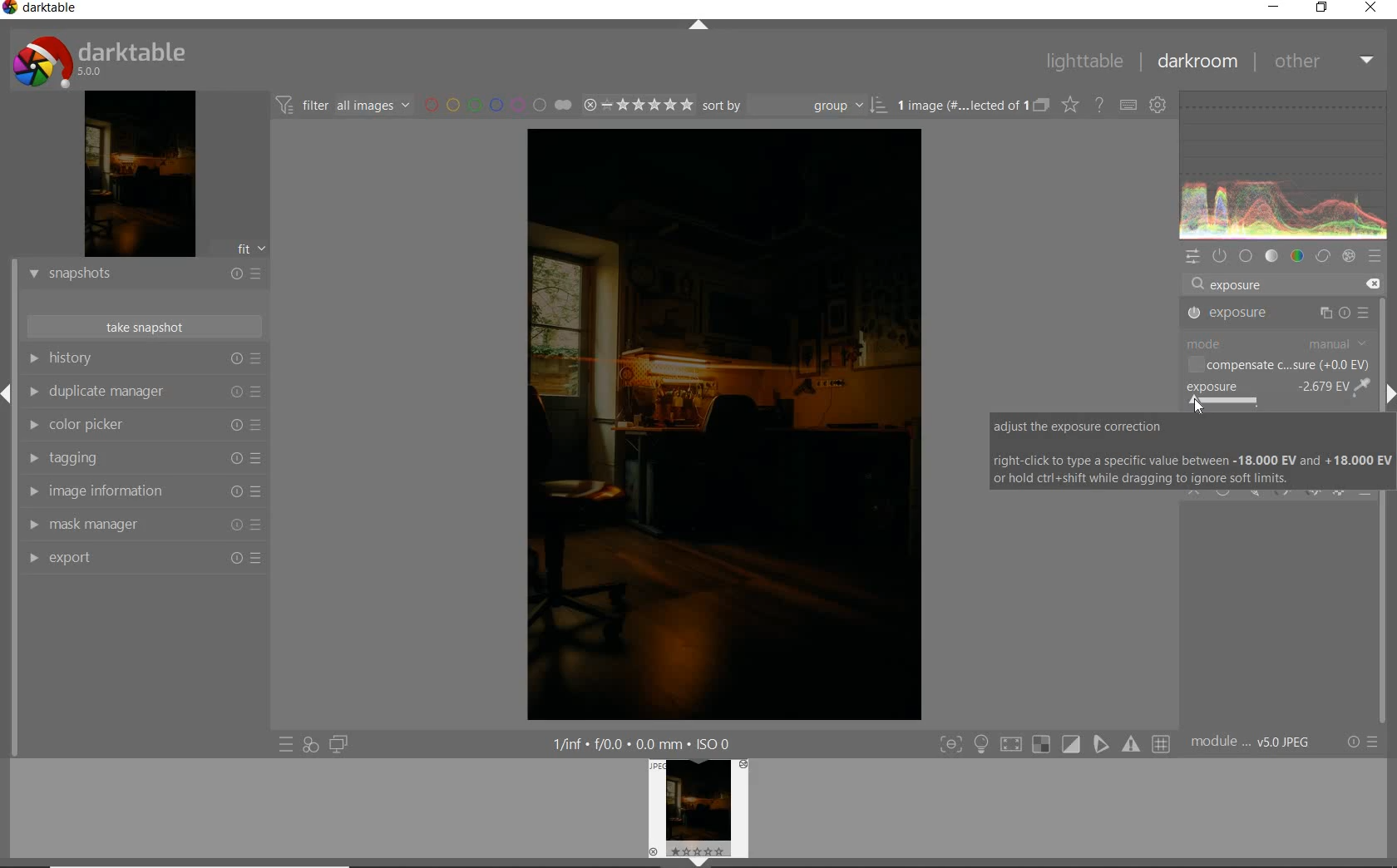  I want to click on presets, so click(1375, 257).